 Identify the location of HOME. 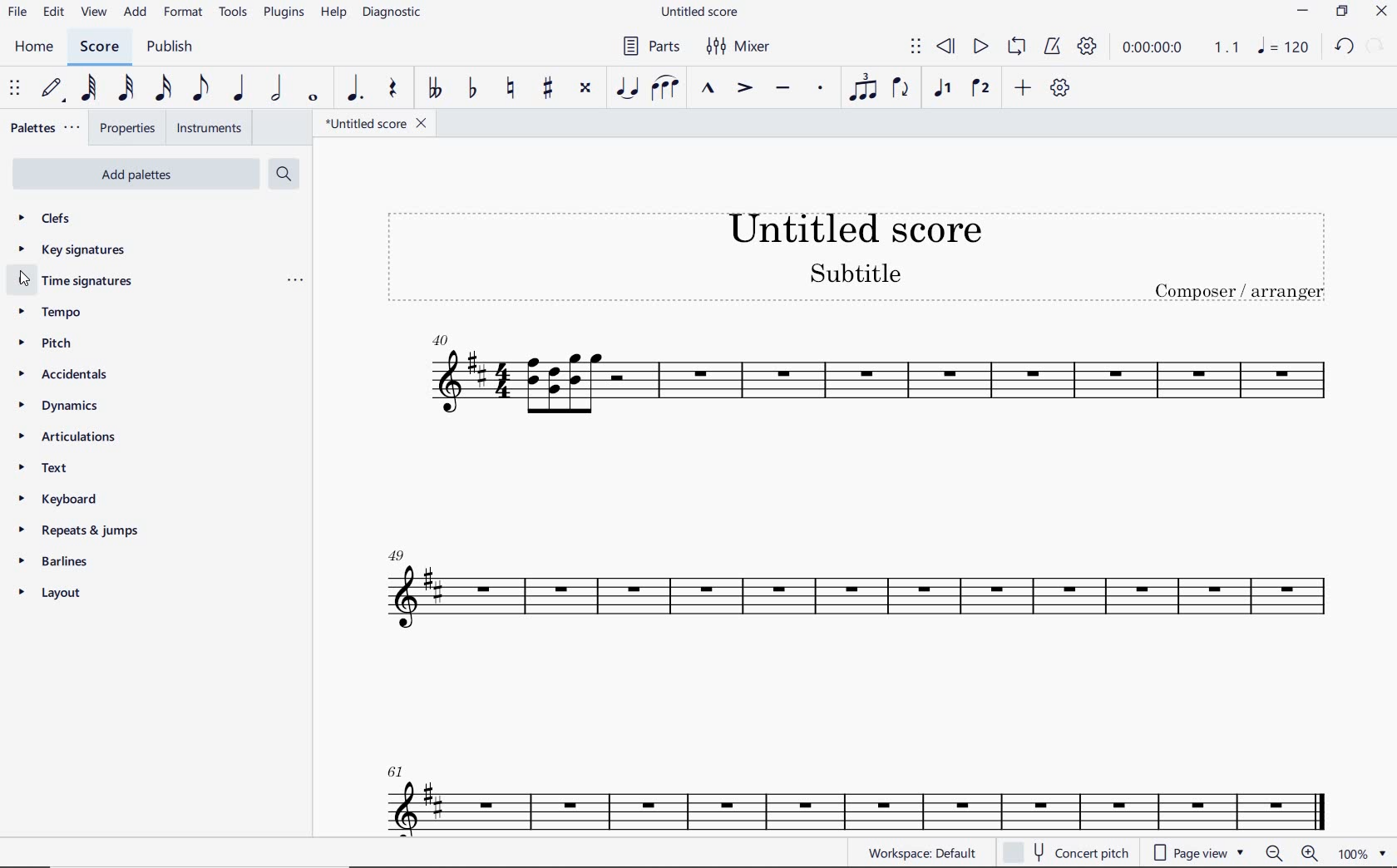
(35, 47).